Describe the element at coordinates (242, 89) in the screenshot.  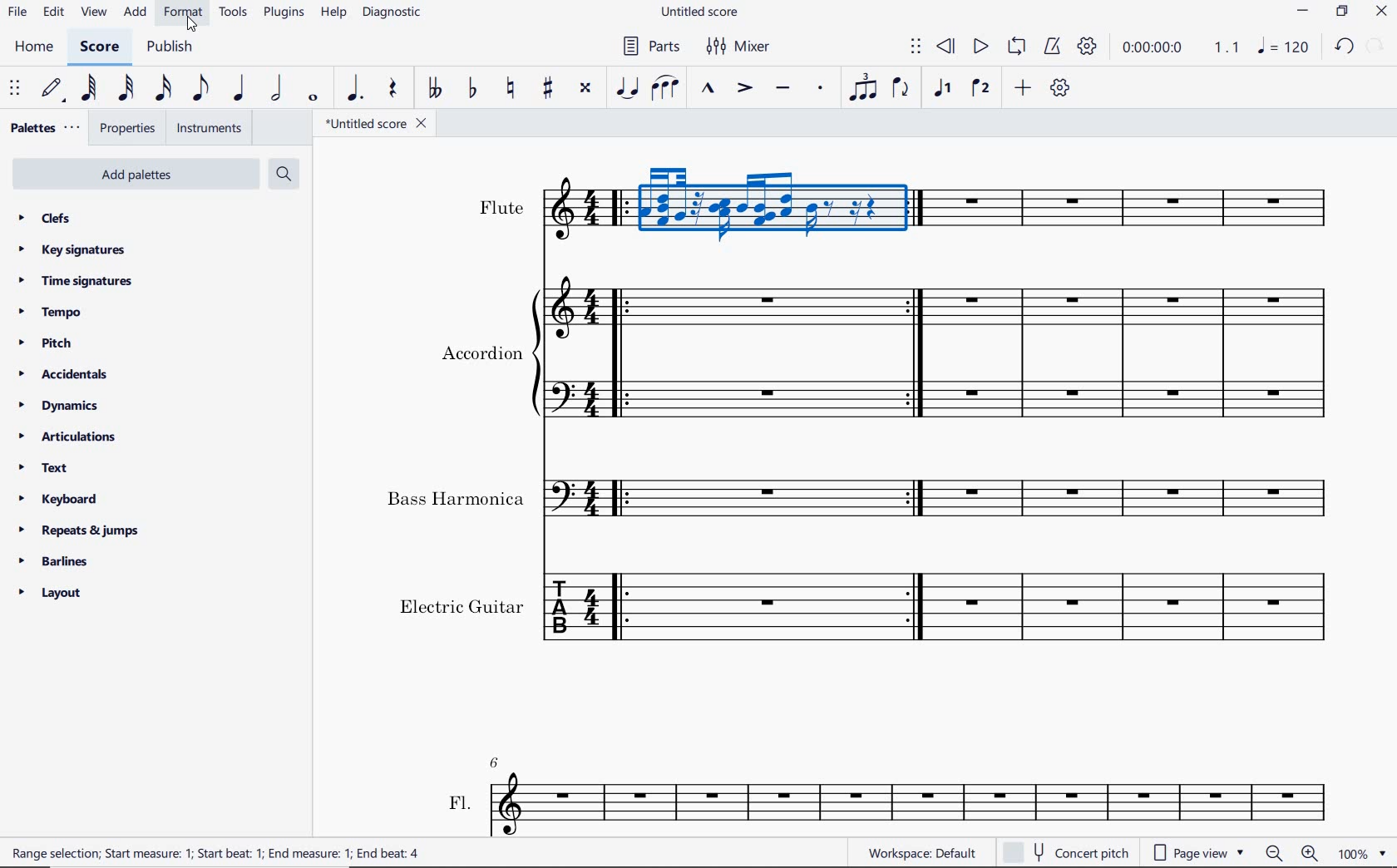
I see `quarter note` at that location.